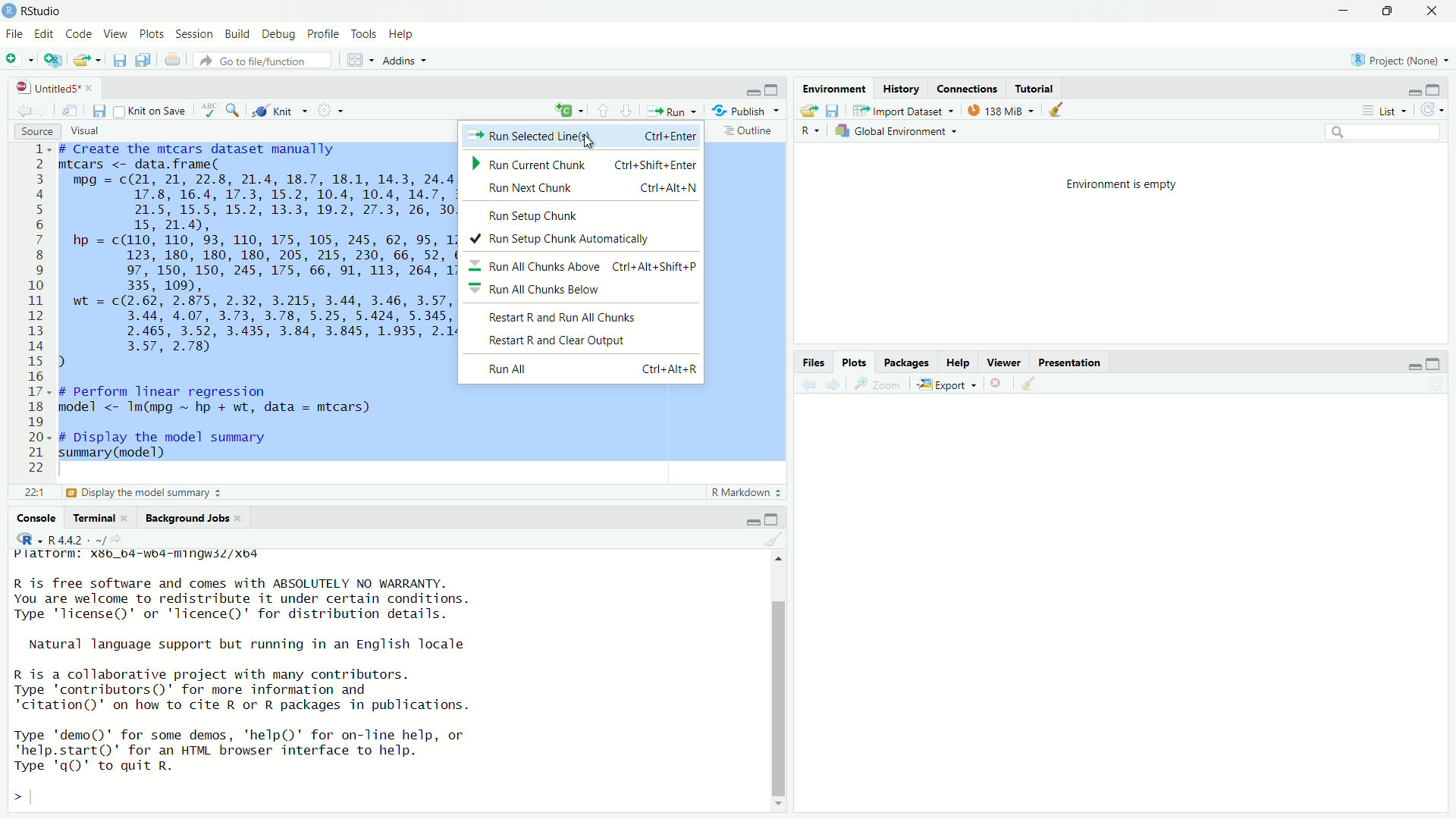  I want to click on # Create the mtcars dataset manually
mtcars <- data. frame(
mpg = c(21, 21, 22.8, 21.4, 18.7, 18.1, 14.3, 24.4, 22.8, 19.2,
17.8, 16.4, 17.3, 15.2, 10.4, 10.4, 14.7, 32.4, 30.4, 33.9,
21.5, 15.5, 15.2, 13.3, 19.2, 27.3, 26, 30.4, 15.8, 19.7,
15, 21.4),
hp = c(110, 110, 93, 110, 175, 105, 245, 62, 95, 123,
123, 180, 180, 180, 205, 215, 230, 66, 52, 65,
97, 150, 150, 245, 175, 66, 91, 113, 264, 175,
335, 109),
wt = c(2.62, 2.875, 2.32, 3.215, 3.44, 3.46, 3.57, 3.19, 3.15, 3.44,
3.44, 4.07, 3.73, 3.78, 5.25, 5.424, 5.345, 2.2, 1.615, 1.835,
2.465, 3.52, 3.435, 3.84, 3.845, 1.935, 2.14, 2.2, 3.17, 2.77,
3.57, 2.78)
) I
# perform linear regression
model <- Im(mpg ~ hp + wt, data = mtcars)
# Display the model summary
summary (model), so click(256, 303).